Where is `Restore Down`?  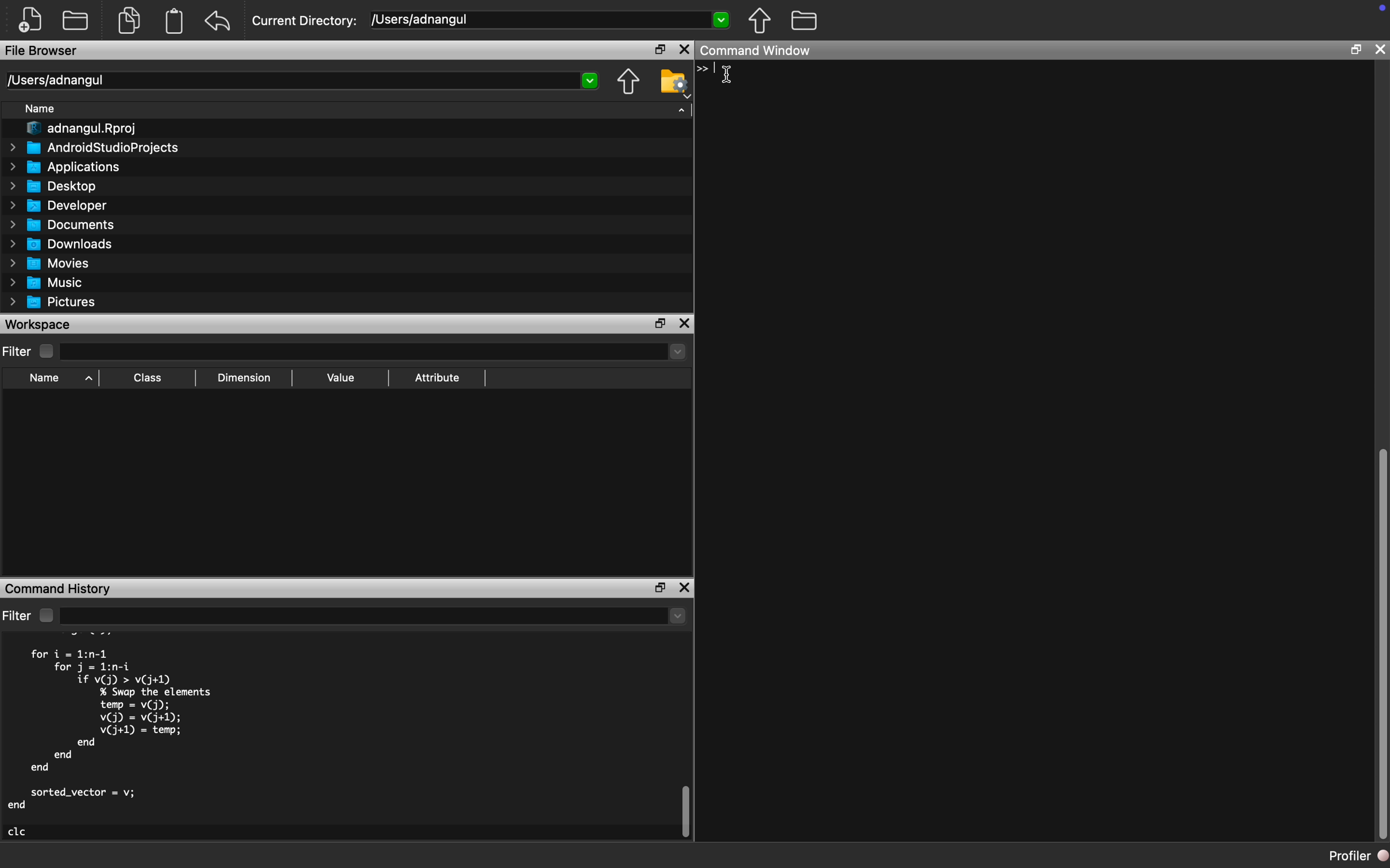
Restore Down is located at coordinates (660, 588).